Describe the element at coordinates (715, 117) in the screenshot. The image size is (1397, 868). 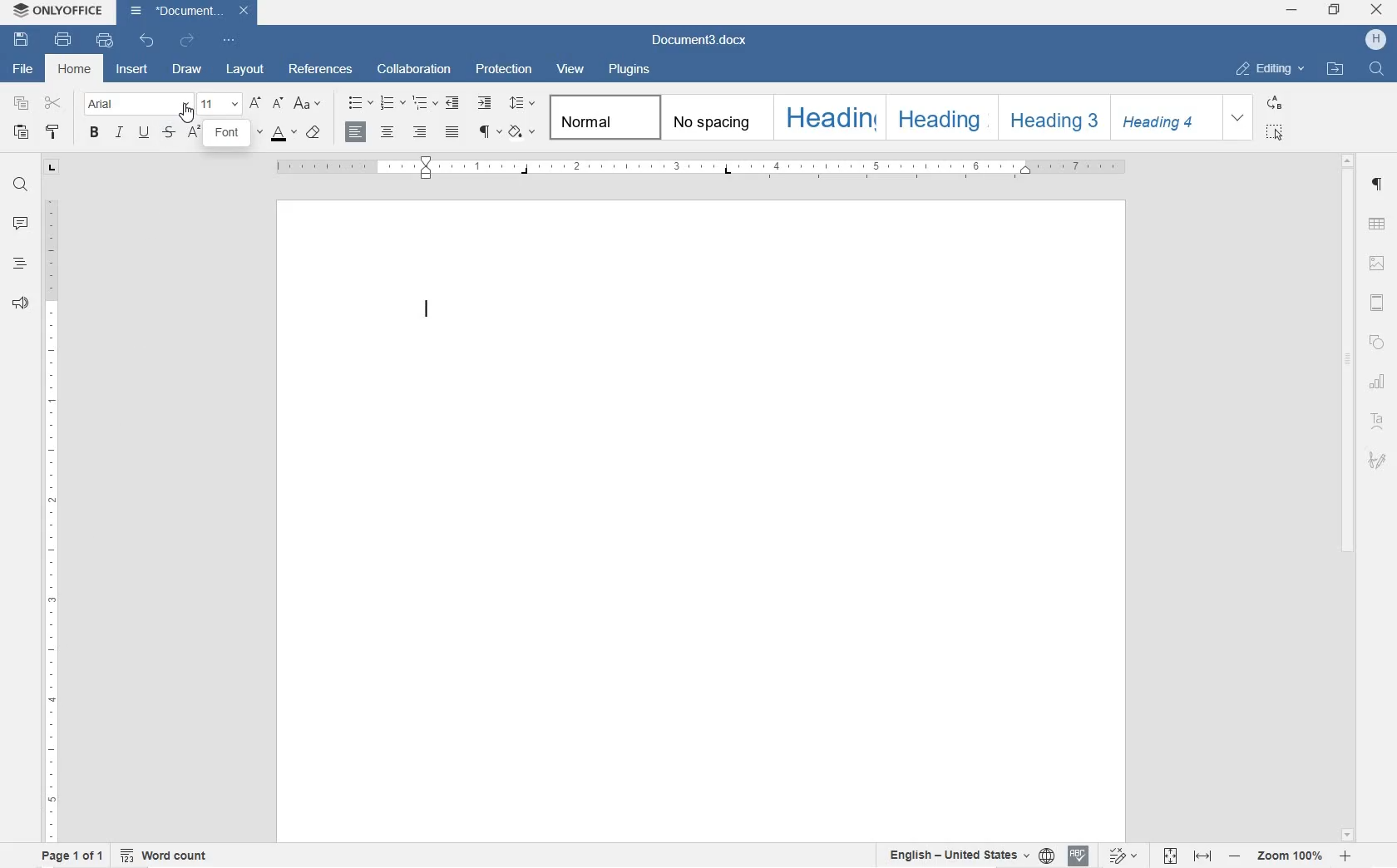
I see `NO SPACING` at that location.